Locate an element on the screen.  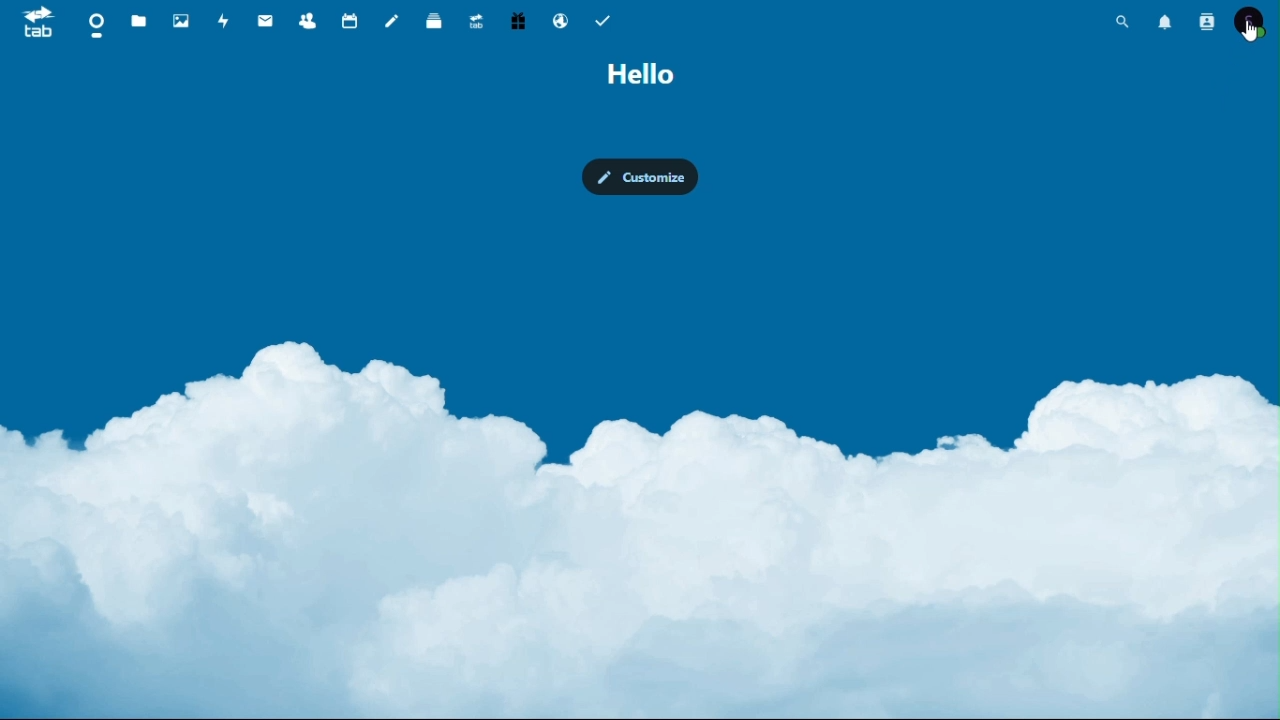
Search is located at coordinates (1121, 24).